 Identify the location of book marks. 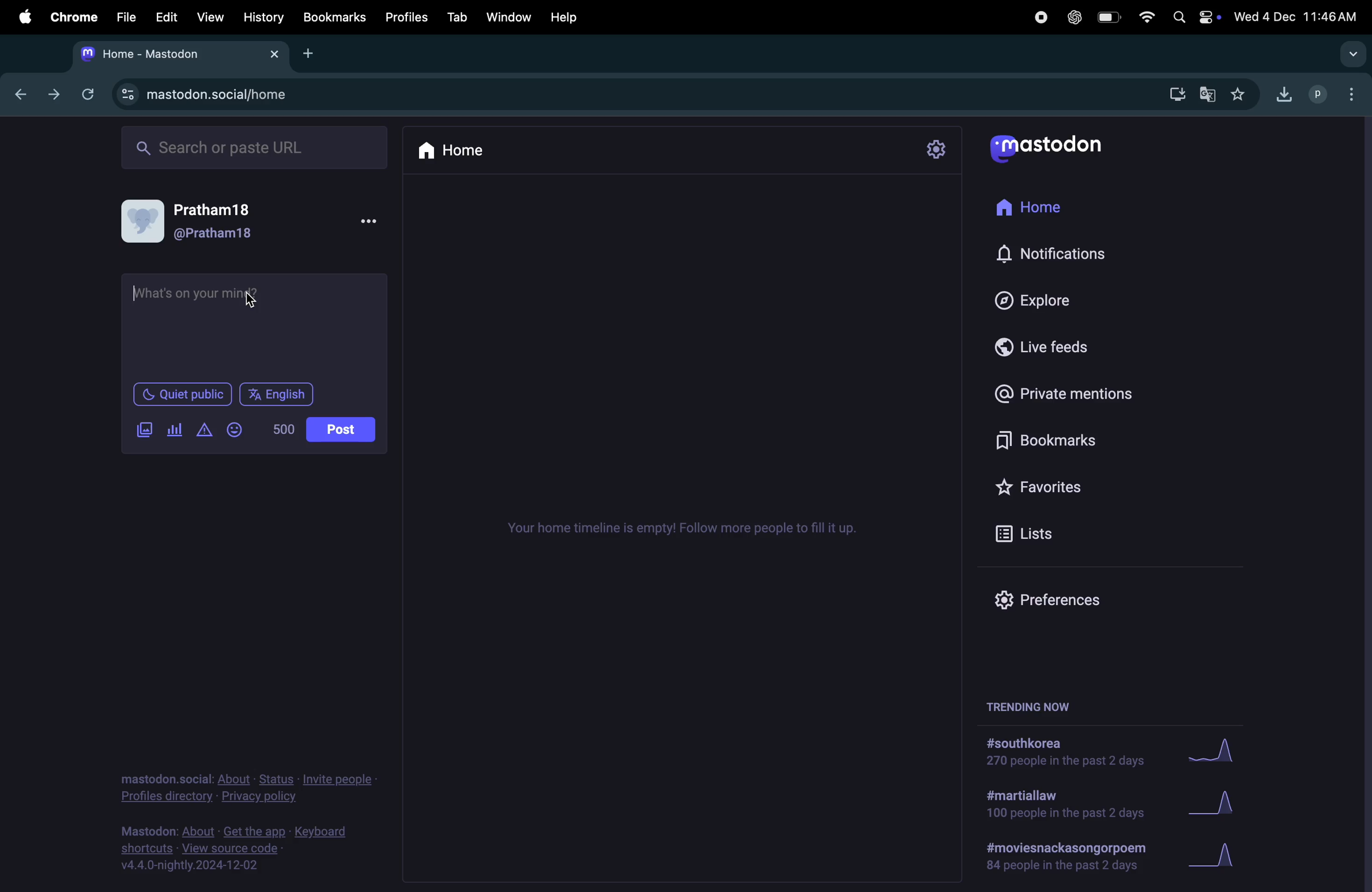
(1058, 436).